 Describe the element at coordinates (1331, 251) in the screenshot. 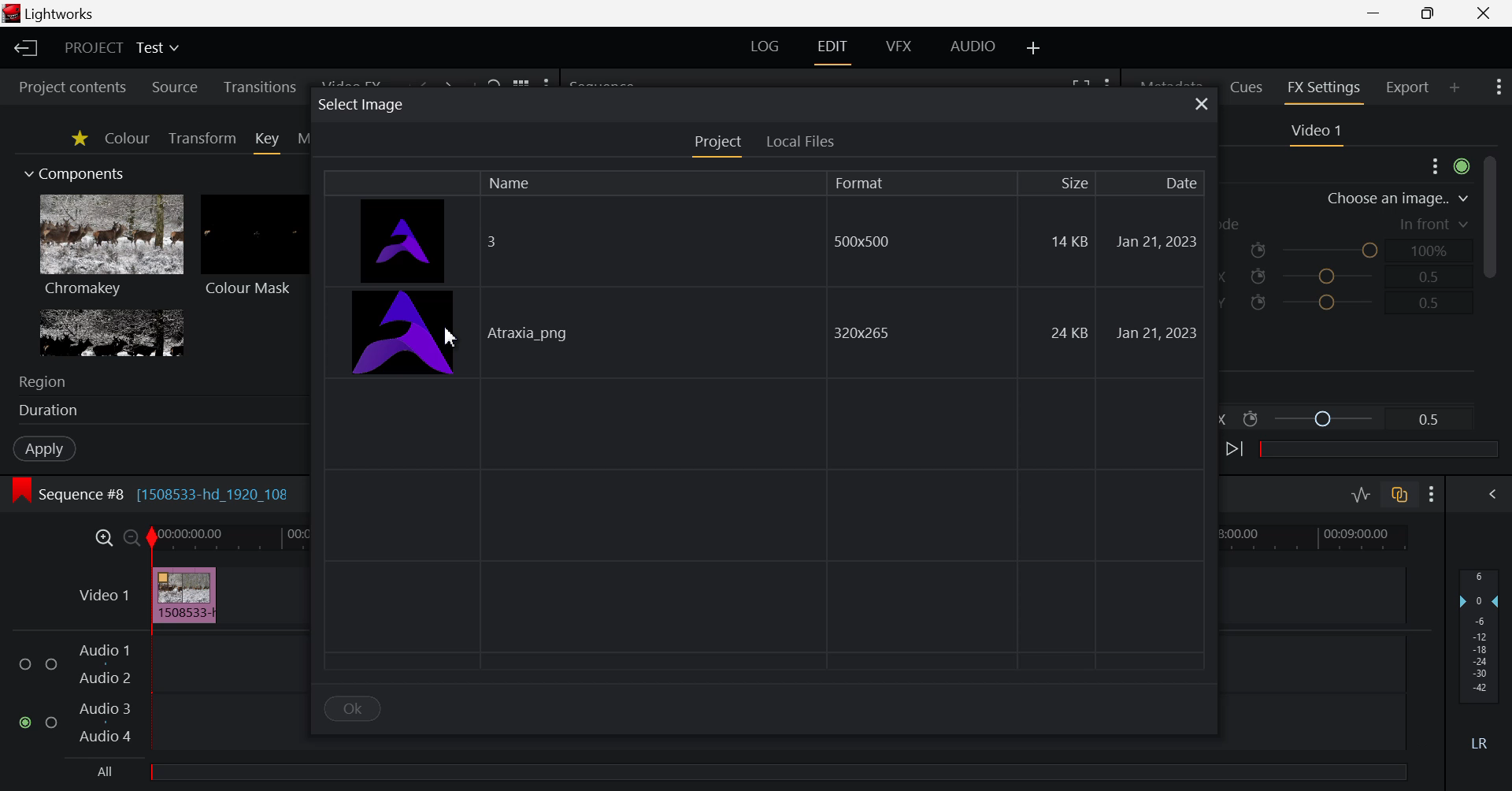

I see `Opacity ` at that location.